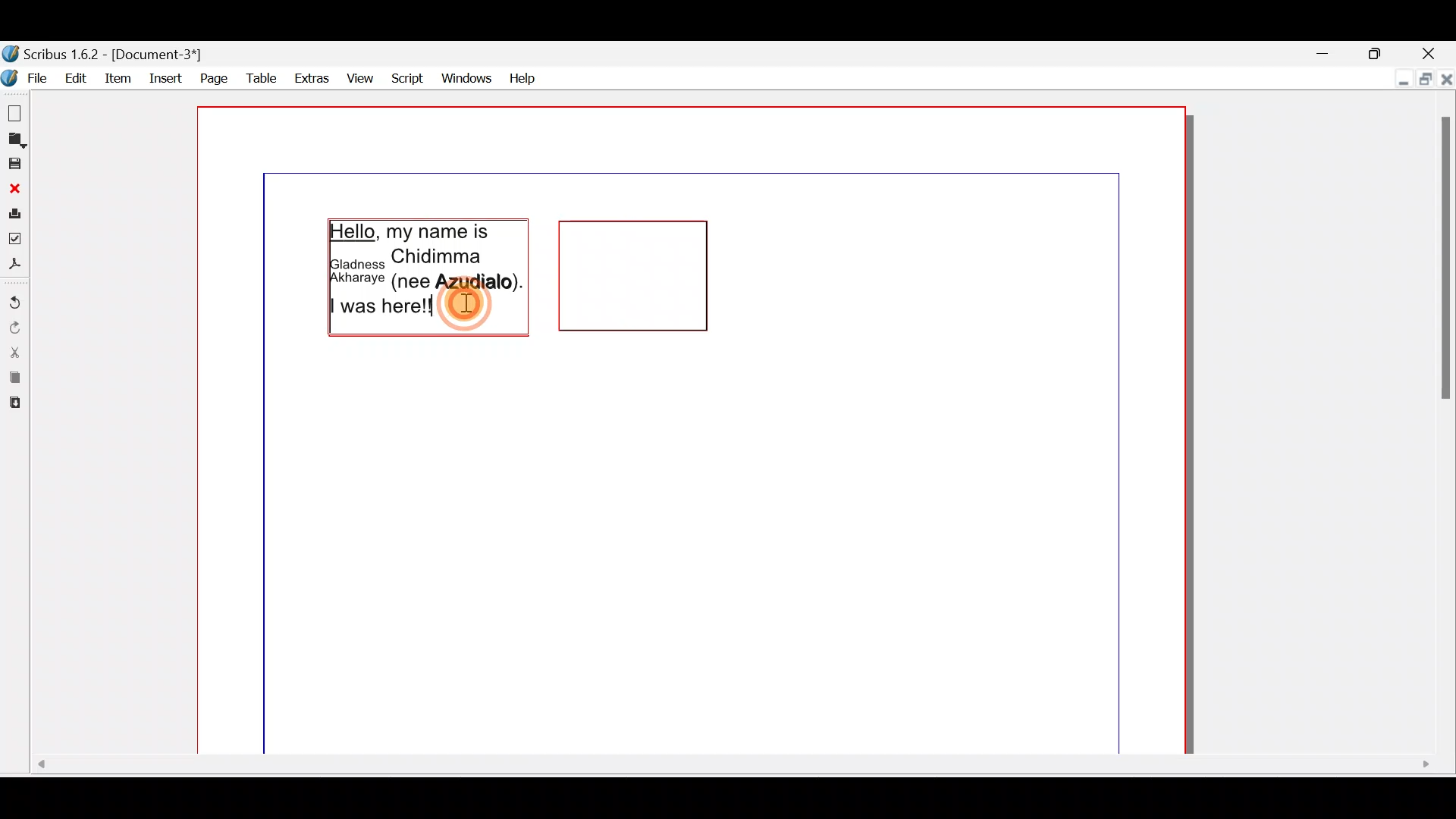  Describe the element at coordinates (14, 327) in the screenshot. I see `Redo` at that location.